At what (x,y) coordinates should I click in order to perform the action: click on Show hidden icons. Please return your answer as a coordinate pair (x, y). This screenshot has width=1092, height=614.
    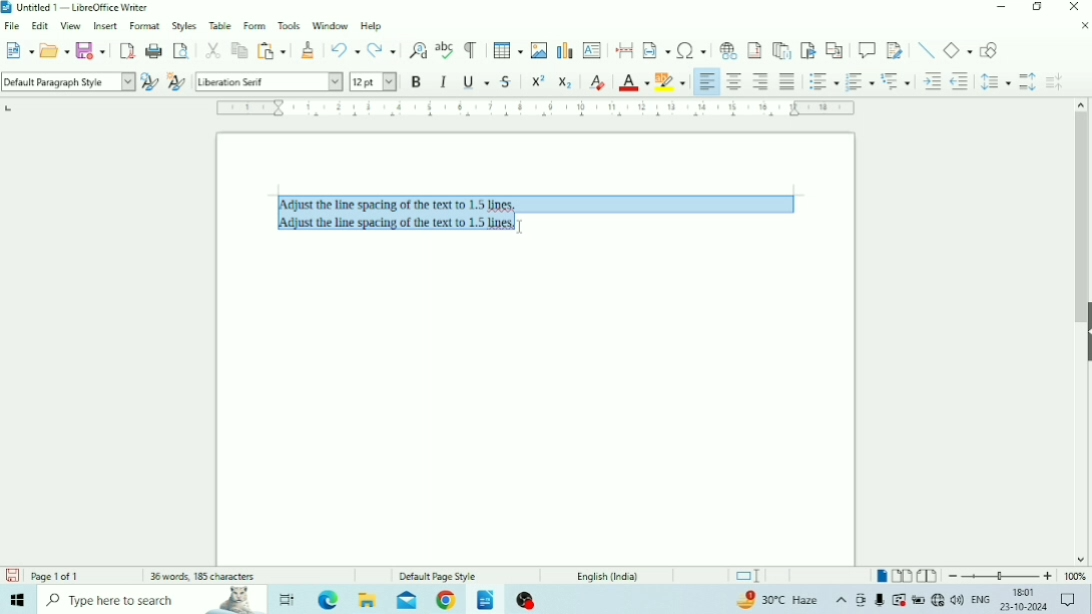
    Looking at the image, I should click on (842, 600).